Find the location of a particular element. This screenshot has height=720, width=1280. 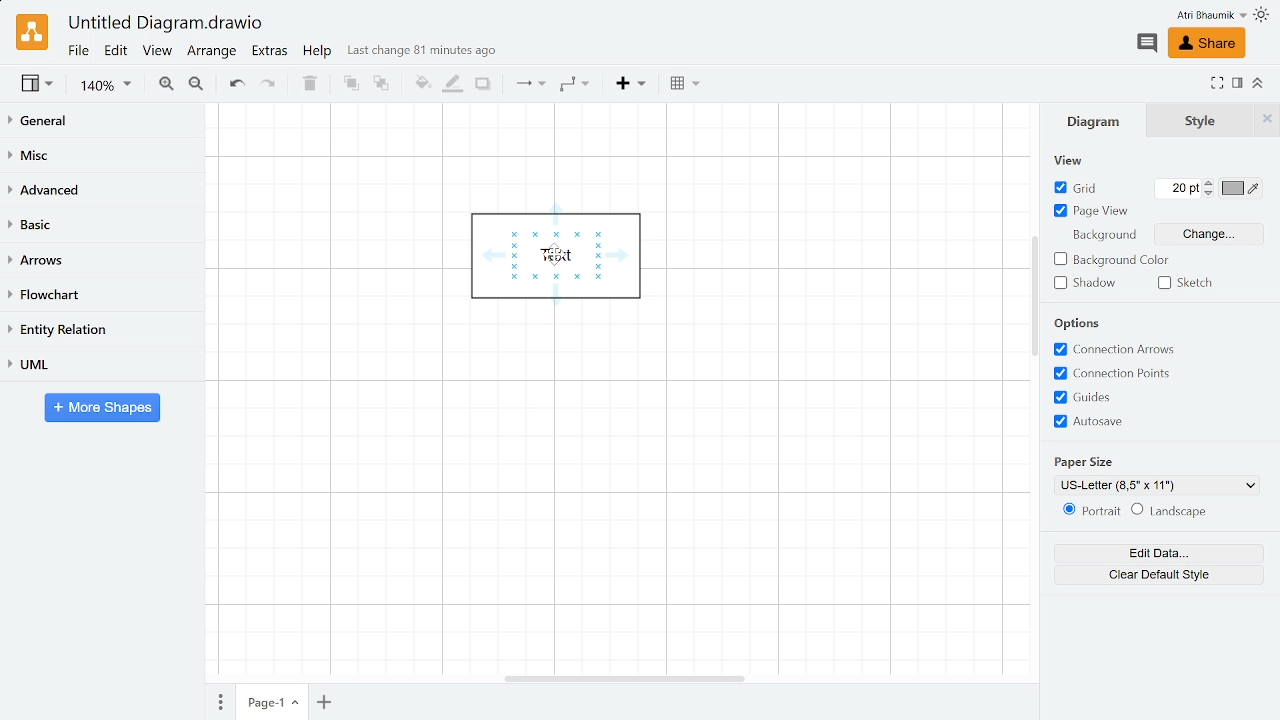

Pages is located at coordinates (218, 701).